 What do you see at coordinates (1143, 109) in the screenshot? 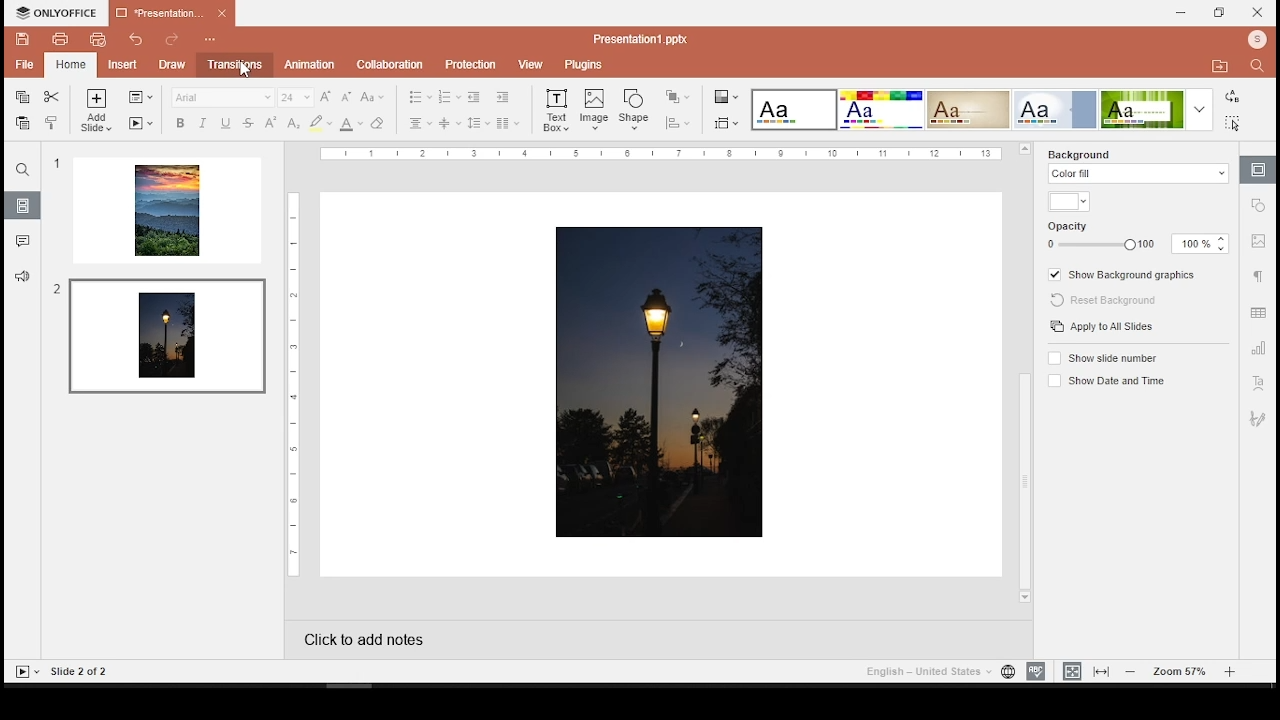
I see `slide style` at bounding box center [1143, 109].